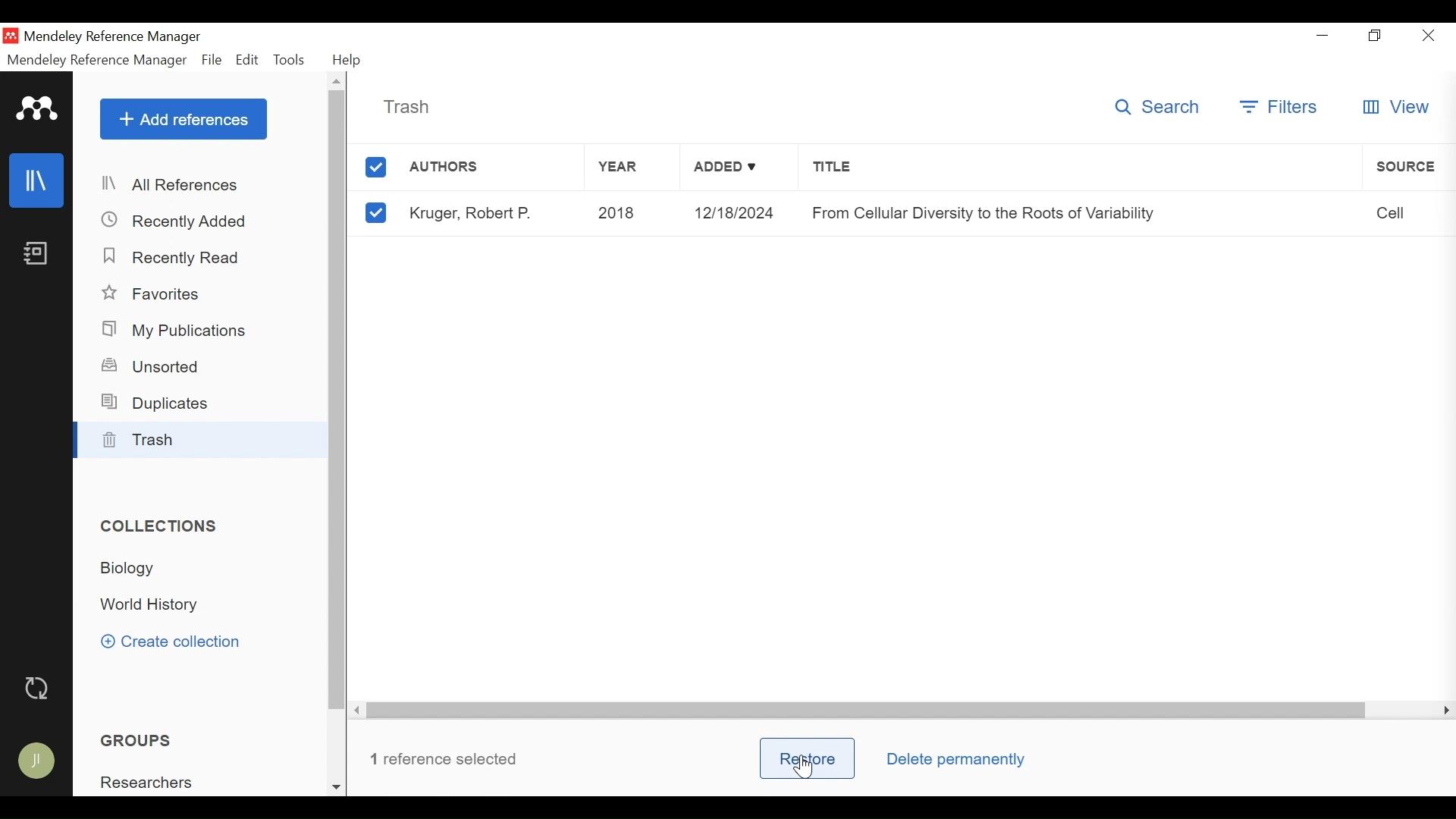 Image resolution: width=1456 pixels, height=819 pixels. What do you see at coordinates (1408, 168) in the screenshot?
I see `Source` at bounding box center [1408, 168].